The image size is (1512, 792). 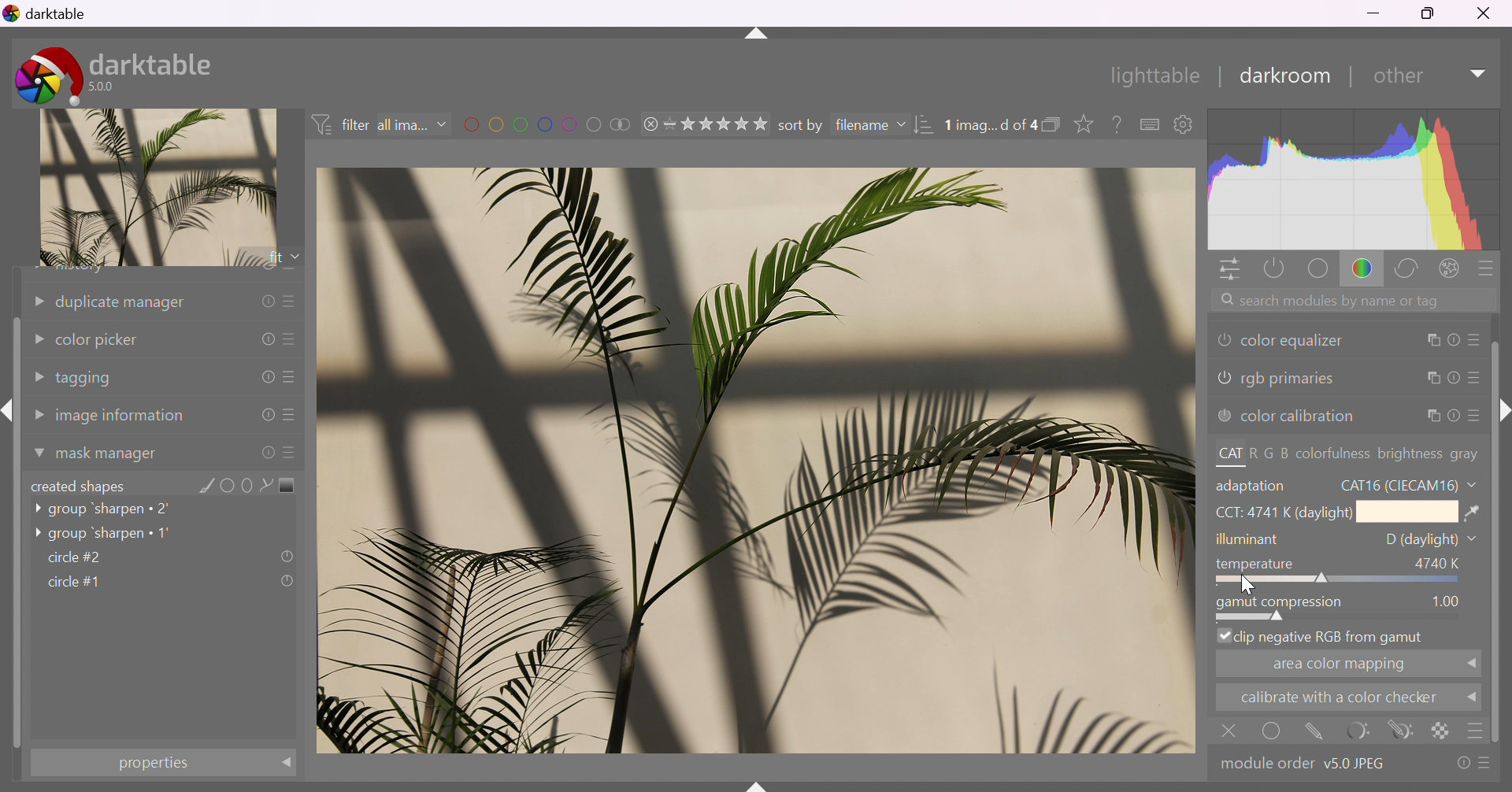 What do you see at coordinates (171, 559) in the screenshot?
I see `circle#2` at bounding box center [171, 559].